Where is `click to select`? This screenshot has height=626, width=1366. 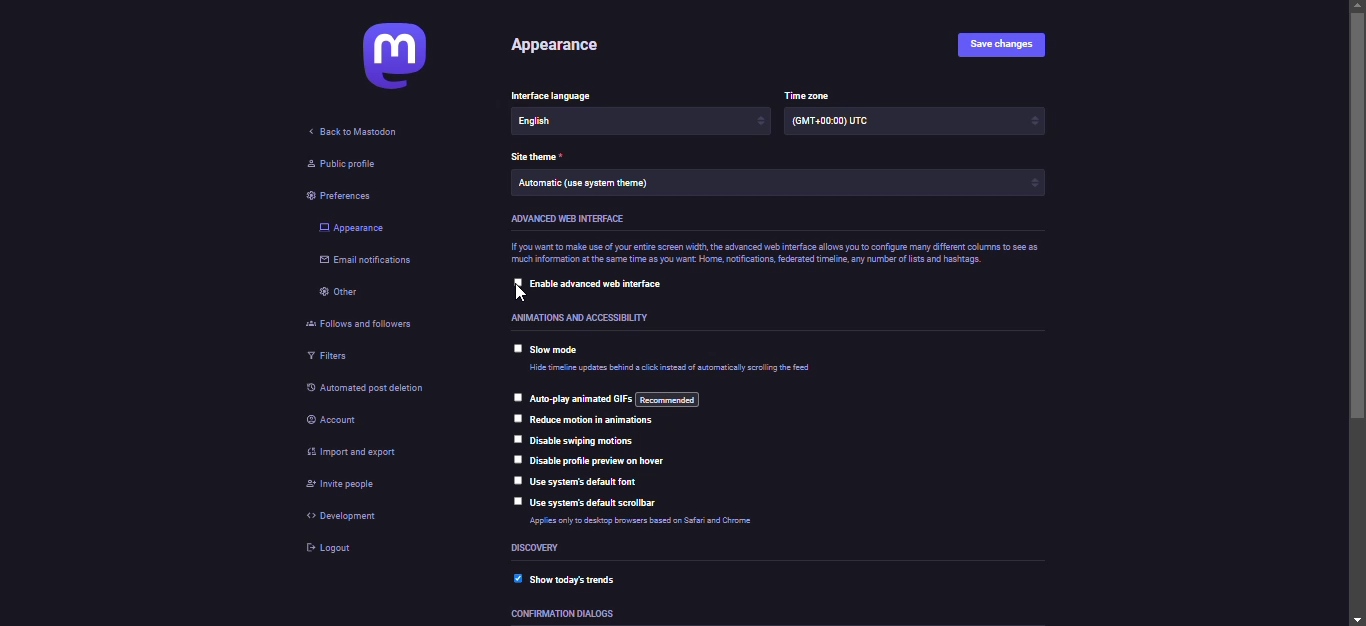 click to select is located at coordinates (516, 281).